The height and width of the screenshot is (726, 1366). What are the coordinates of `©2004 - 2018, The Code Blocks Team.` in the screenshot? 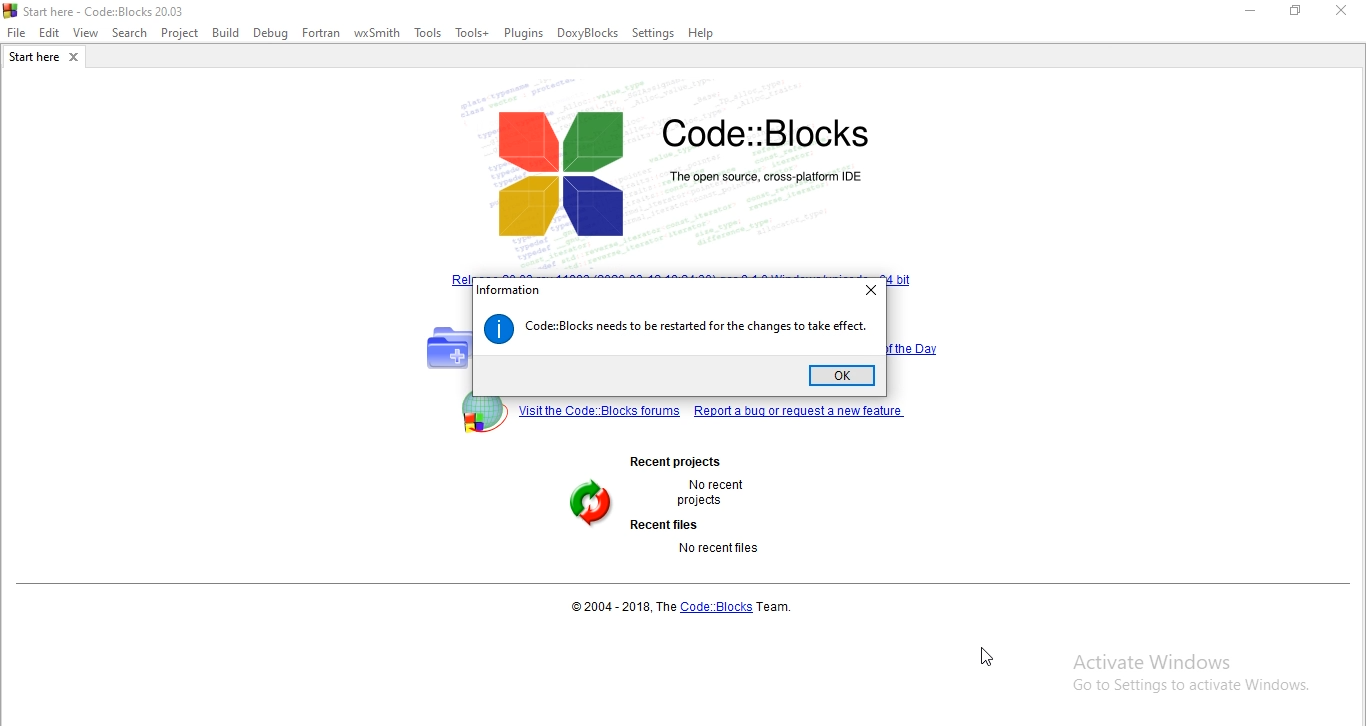 It's located at (687, 607).